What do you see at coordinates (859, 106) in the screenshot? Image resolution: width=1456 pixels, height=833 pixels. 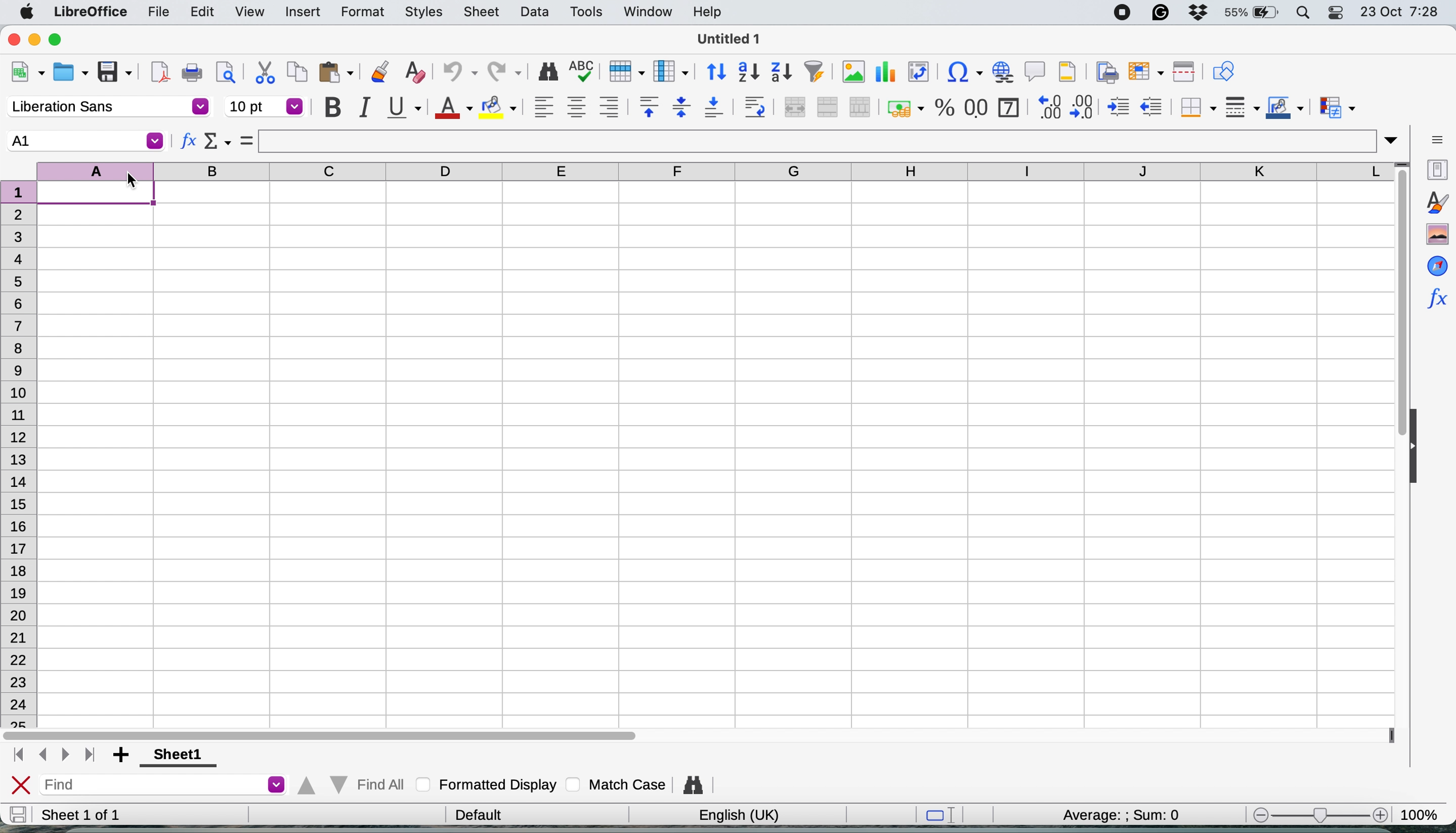 I see `unmerge` at bounding box center [859, 106].